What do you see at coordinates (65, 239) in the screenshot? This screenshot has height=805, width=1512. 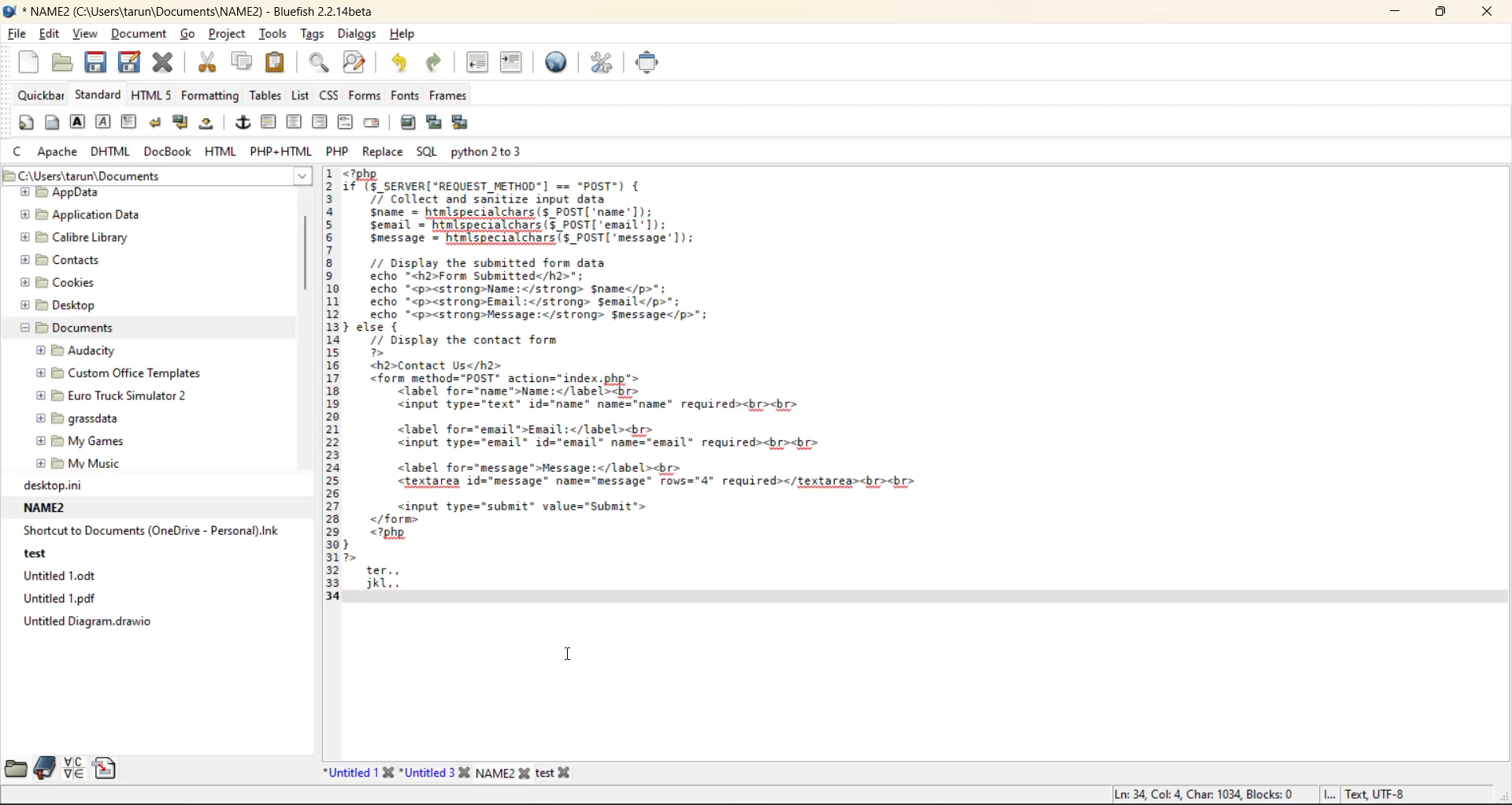 I see `Calibre Library` at bounding box center [65, 239].